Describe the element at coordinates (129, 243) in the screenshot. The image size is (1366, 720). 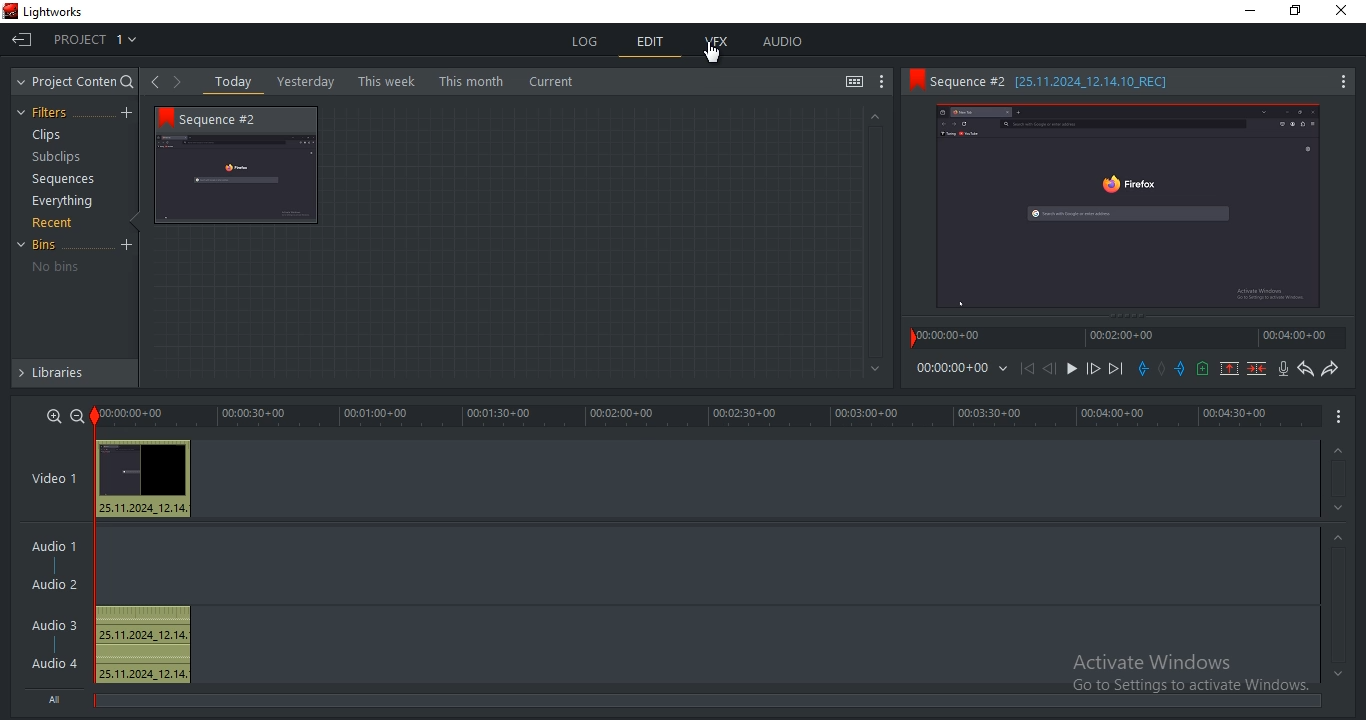
I see `Create a new bin from the selected clips/sequences` at that location.